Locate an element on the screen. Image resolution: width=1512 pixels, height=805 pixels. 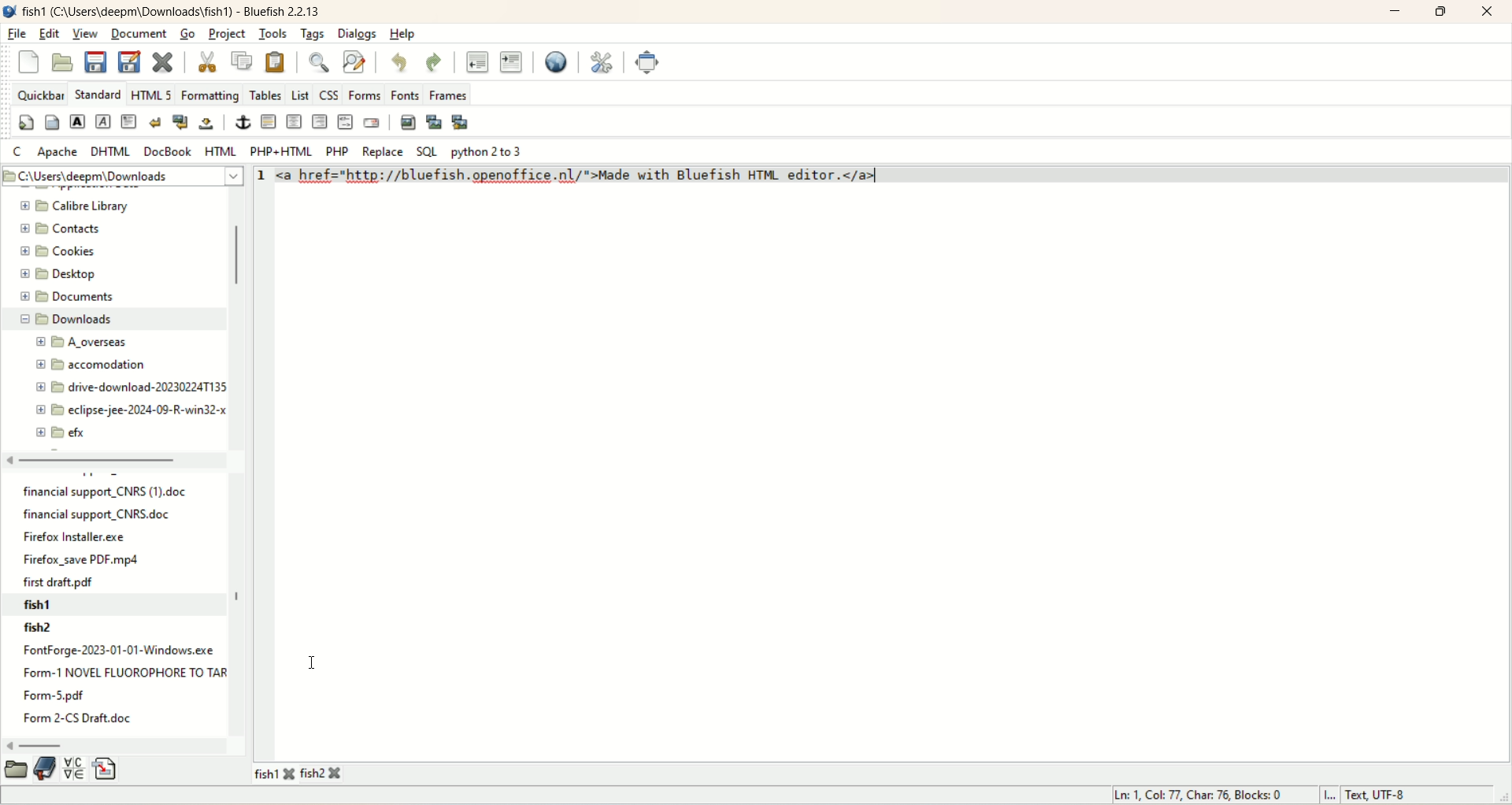
cut is located at coordinates (209, 61).